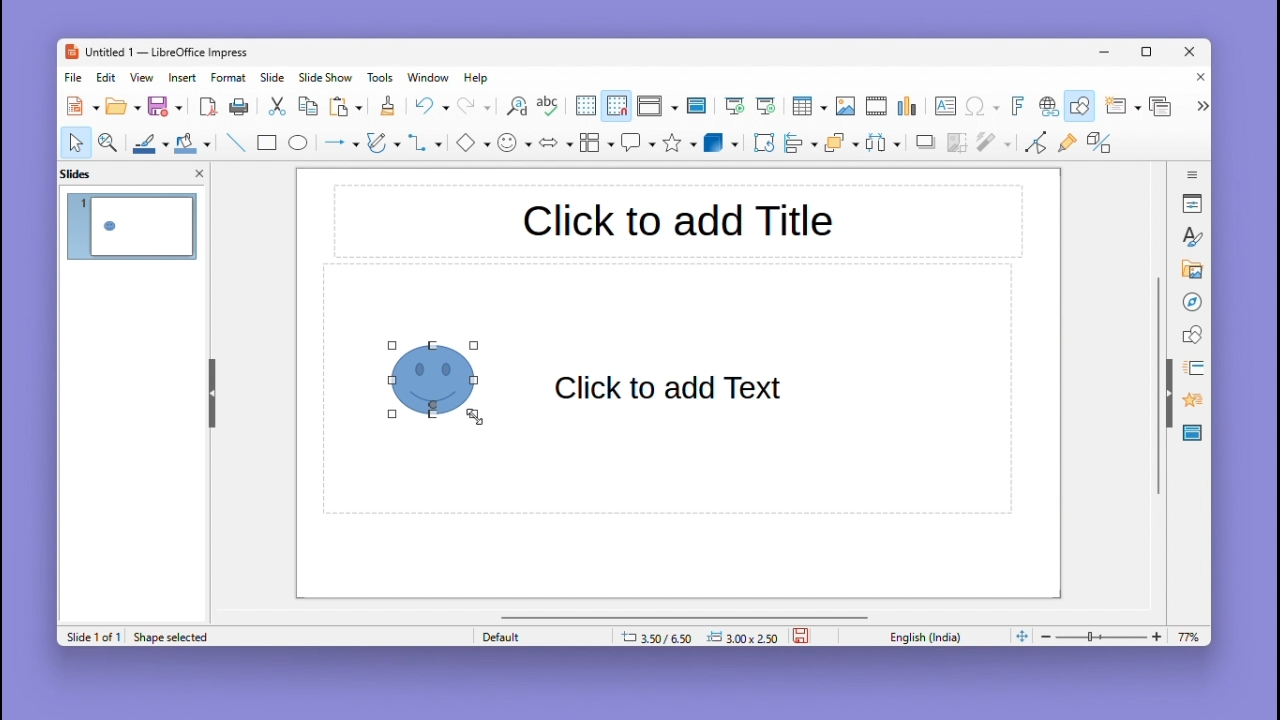  Describe the element at coordinates (699, 636) in the screenshot. I see `dimensions` at that location.